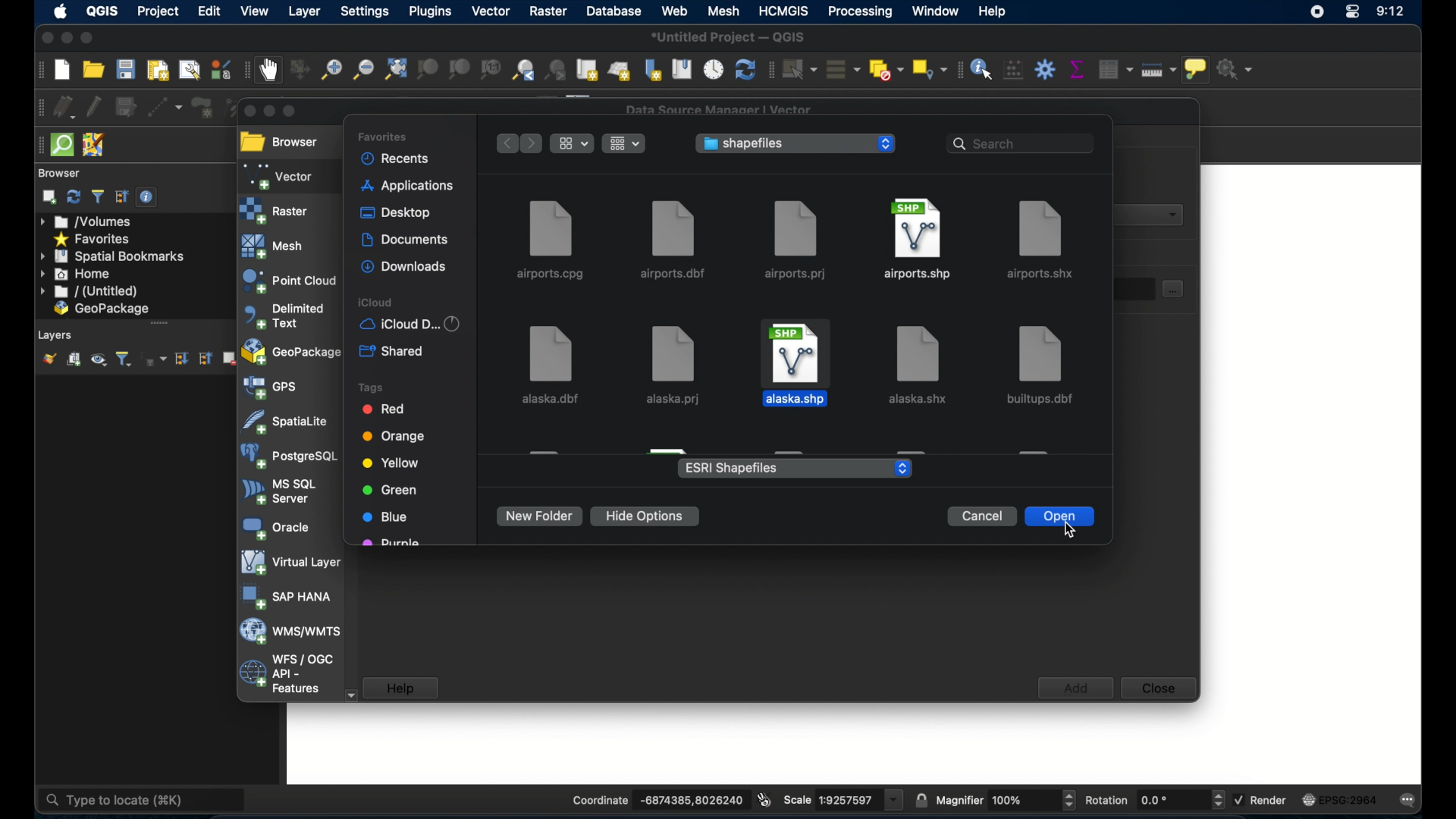 The image size is (1456, 819). What do you see at coordinates (1241, 69) in the screenshot?
I see `no action selected` at bounding box center [1241, 69].